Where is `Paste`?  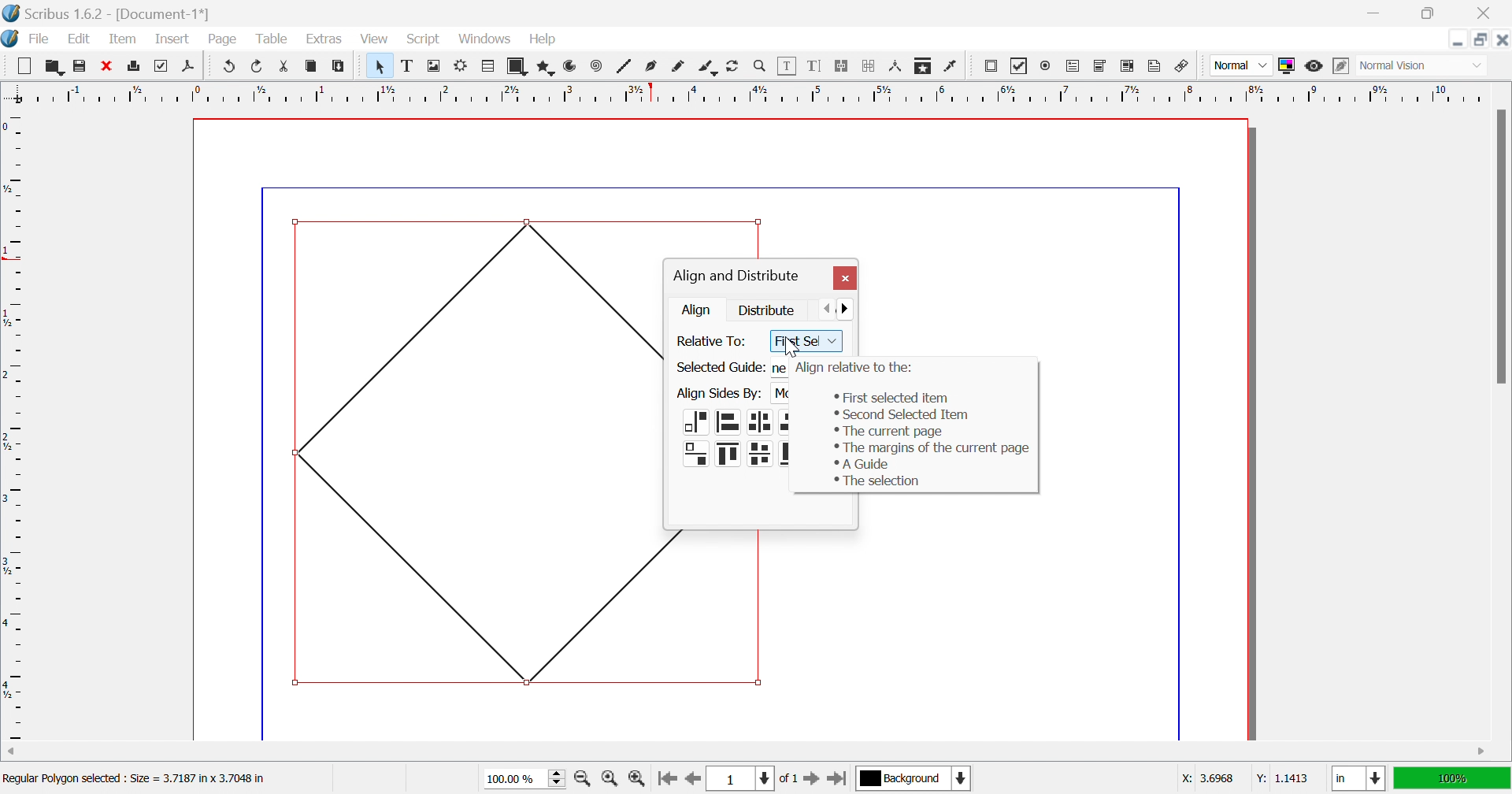 Paste is located at coordinates (341, 66).